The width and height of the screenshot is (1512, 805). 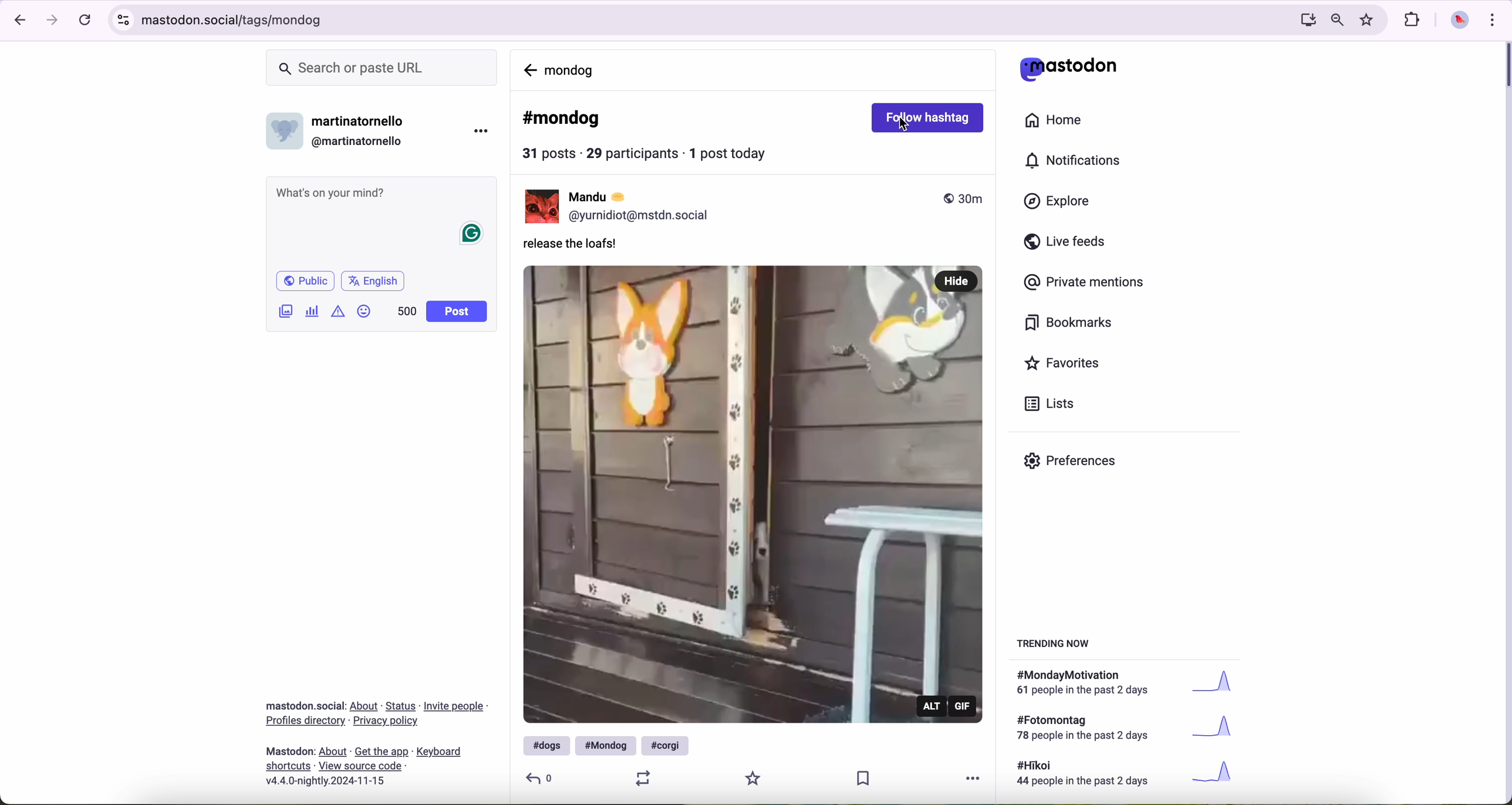 I want to click on grammarly icon, so click(x=473, y=234).